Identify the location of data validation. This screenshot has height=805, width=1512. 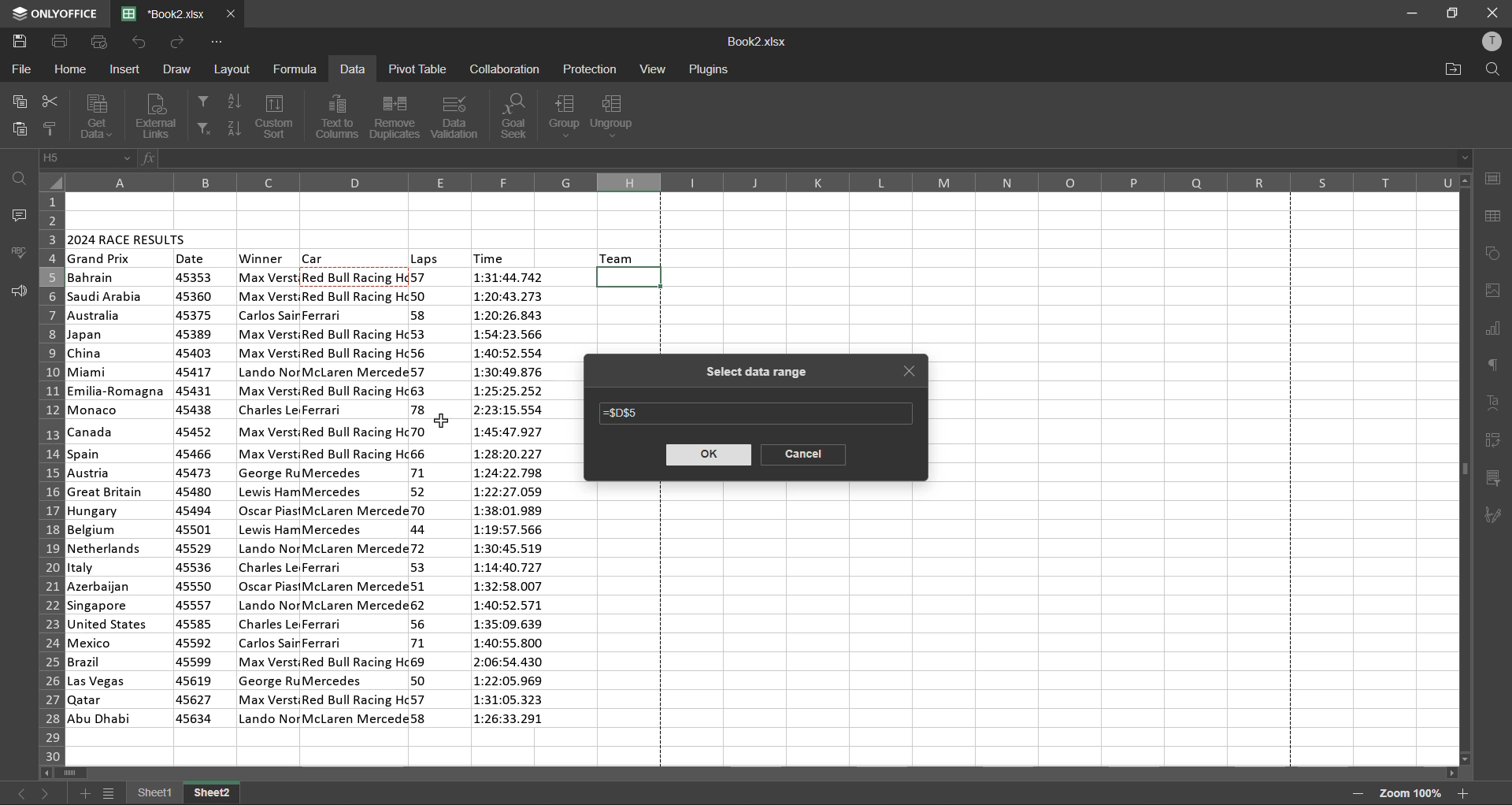
(457, 116).